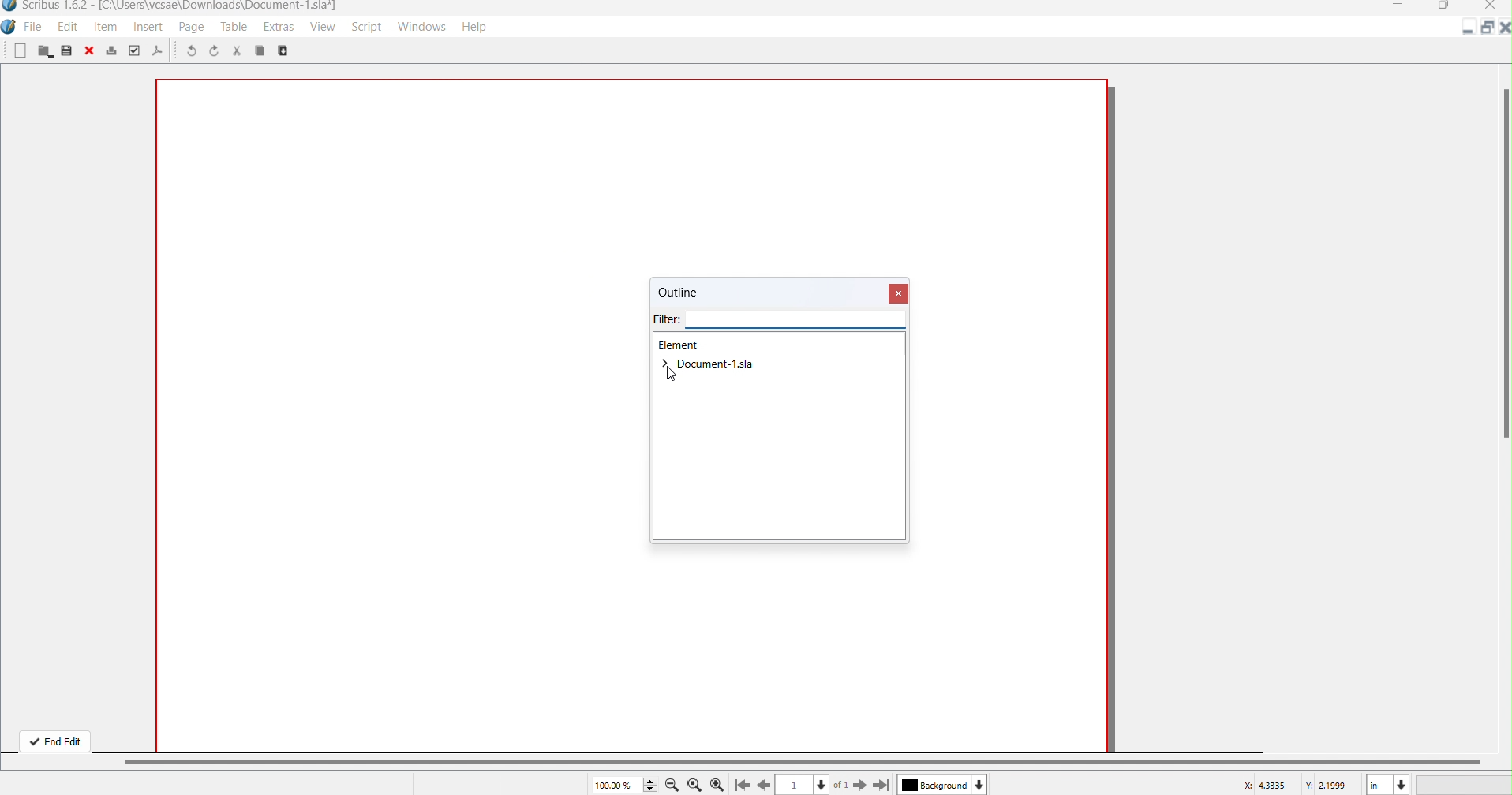  Describe the element at coordinates (694, 294) in the screenshot. I see `Outline` at that location.